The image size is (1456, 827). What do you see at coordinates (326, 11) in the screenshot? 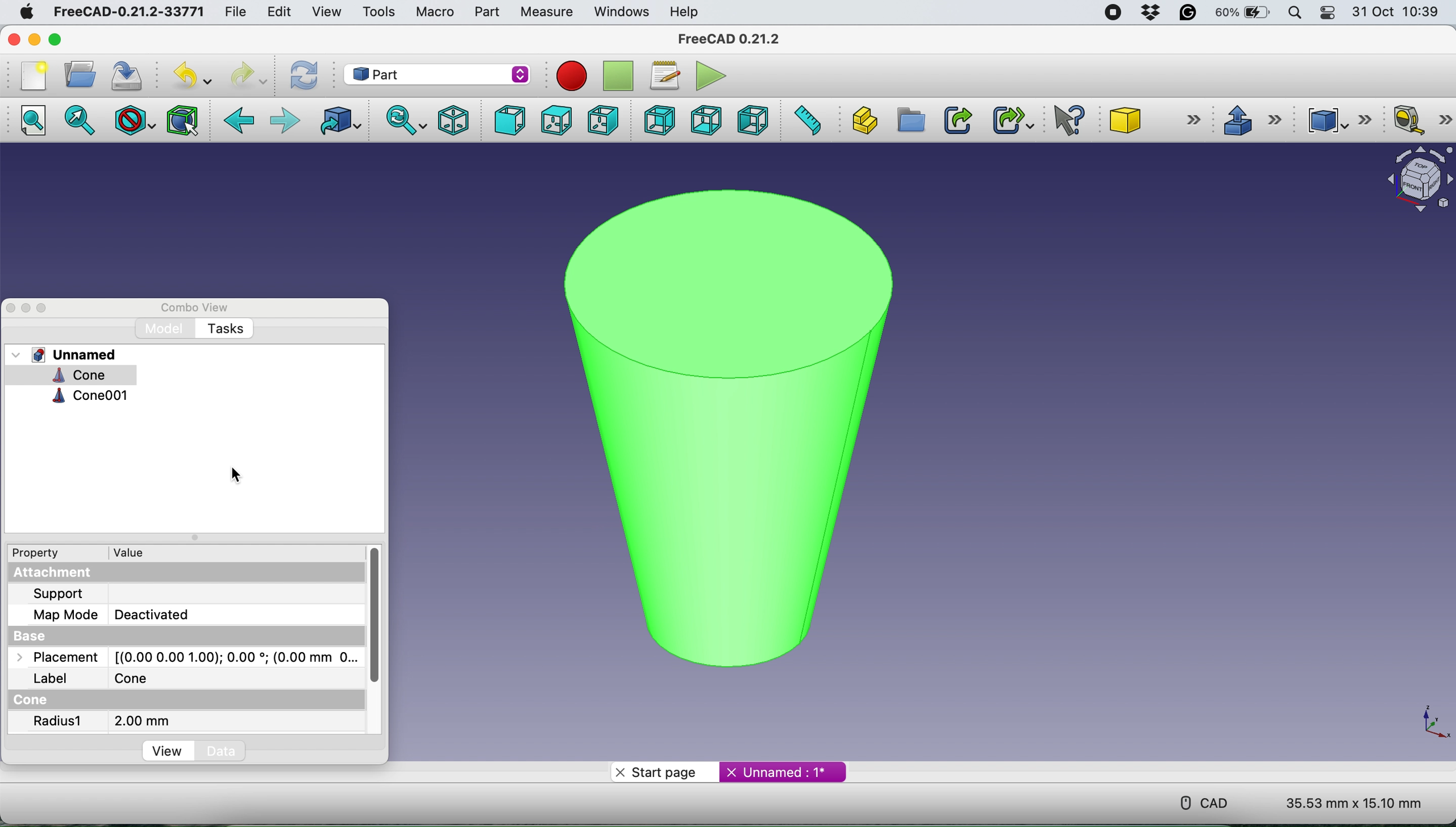
I see `view` at bounding box center [326, 11].